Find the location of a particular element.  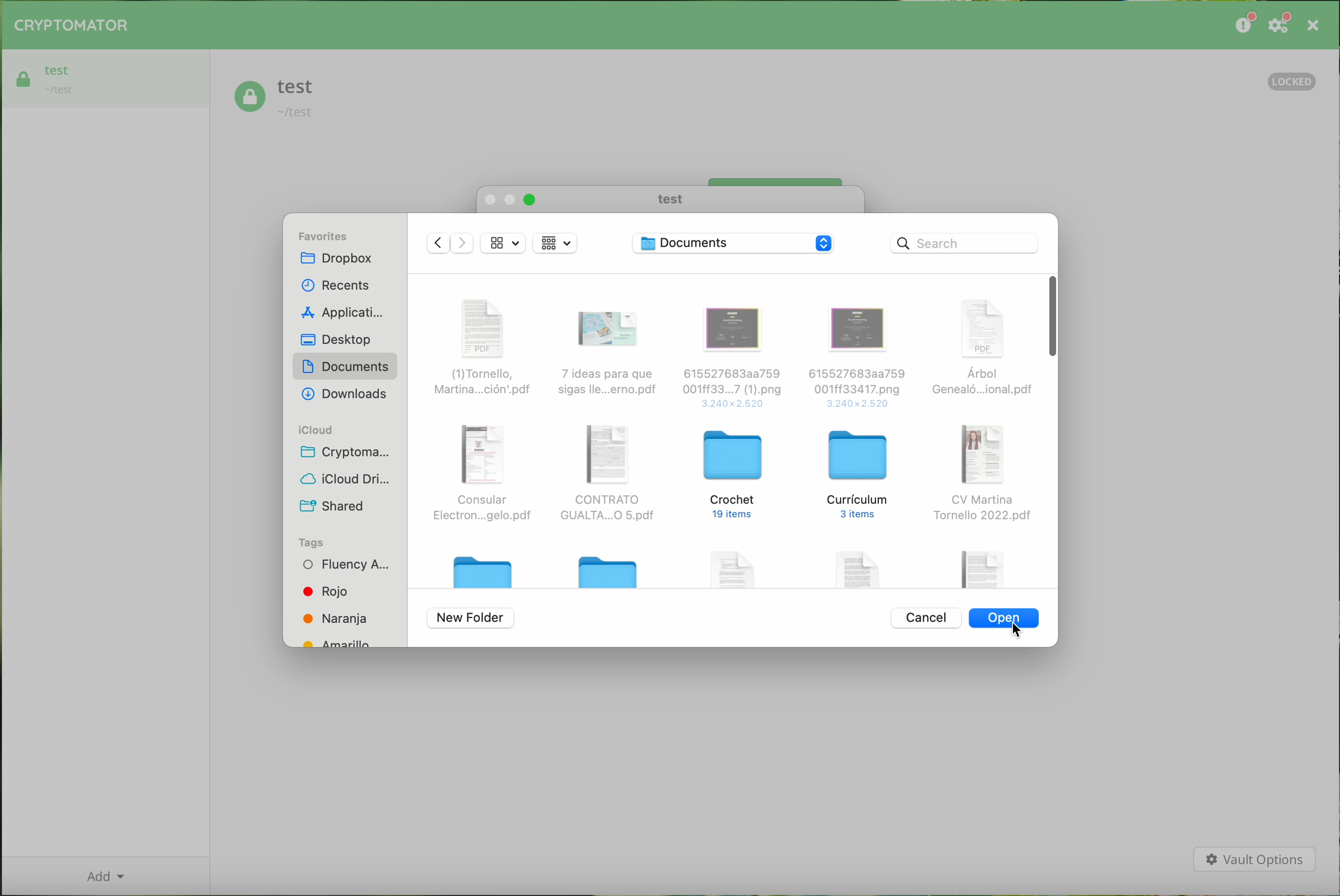

cancel  is located at coordinates (925, 617).